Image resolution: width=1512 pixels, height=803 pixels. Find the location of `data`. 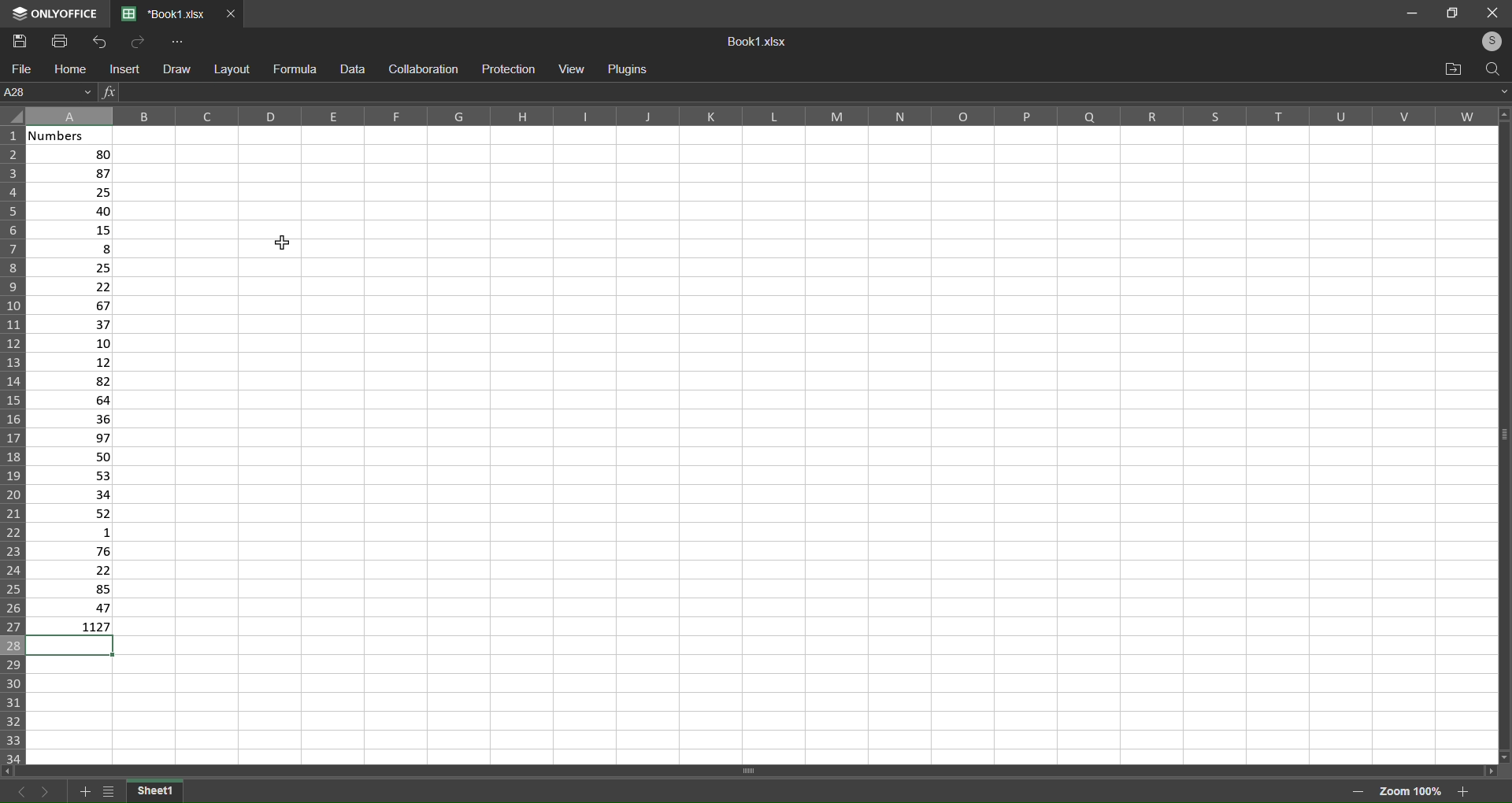

data is located at coordinates (76, 378).